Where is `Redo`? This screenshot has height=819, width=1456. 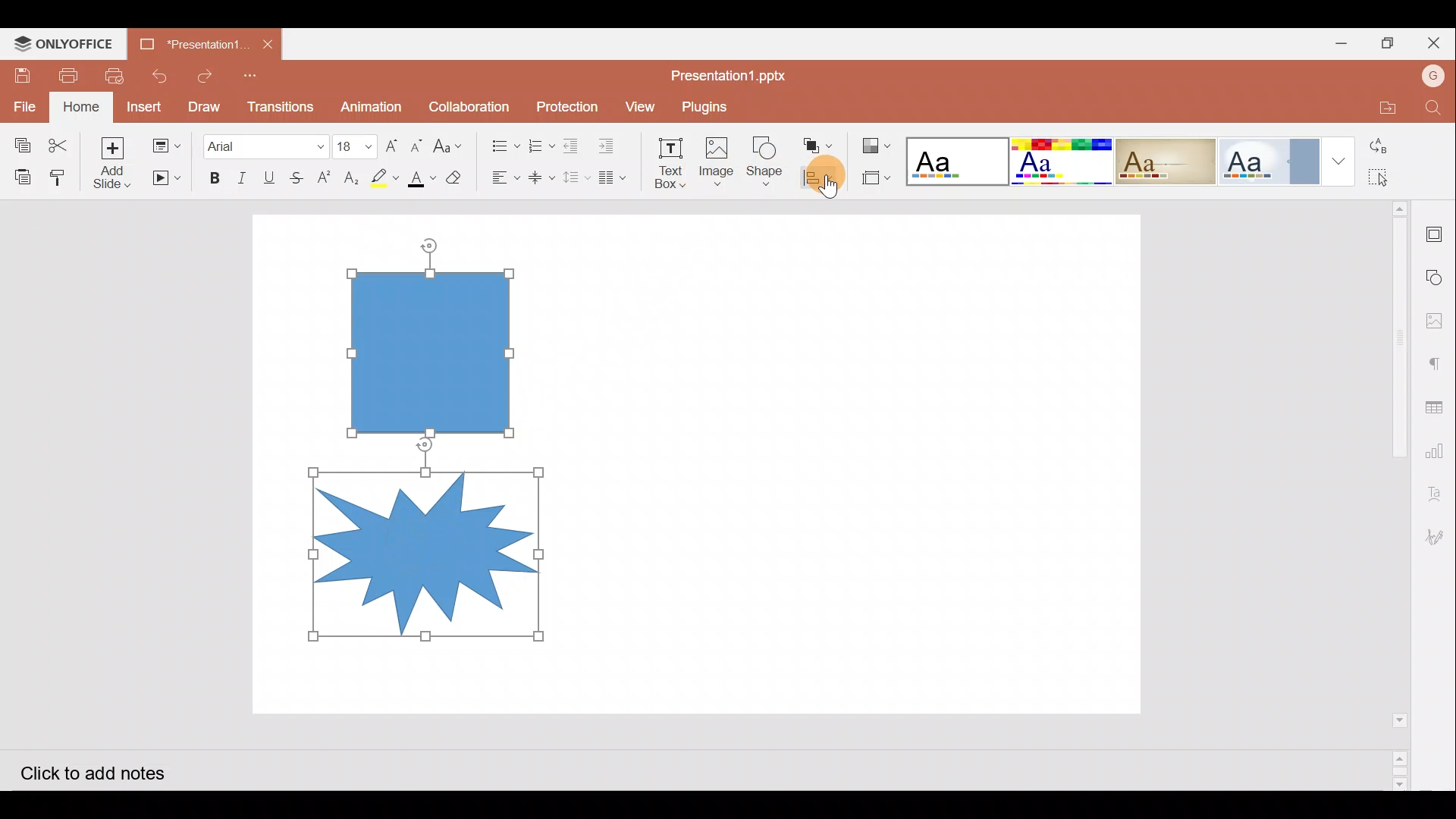 Redo is located at coordinates (203, 72).